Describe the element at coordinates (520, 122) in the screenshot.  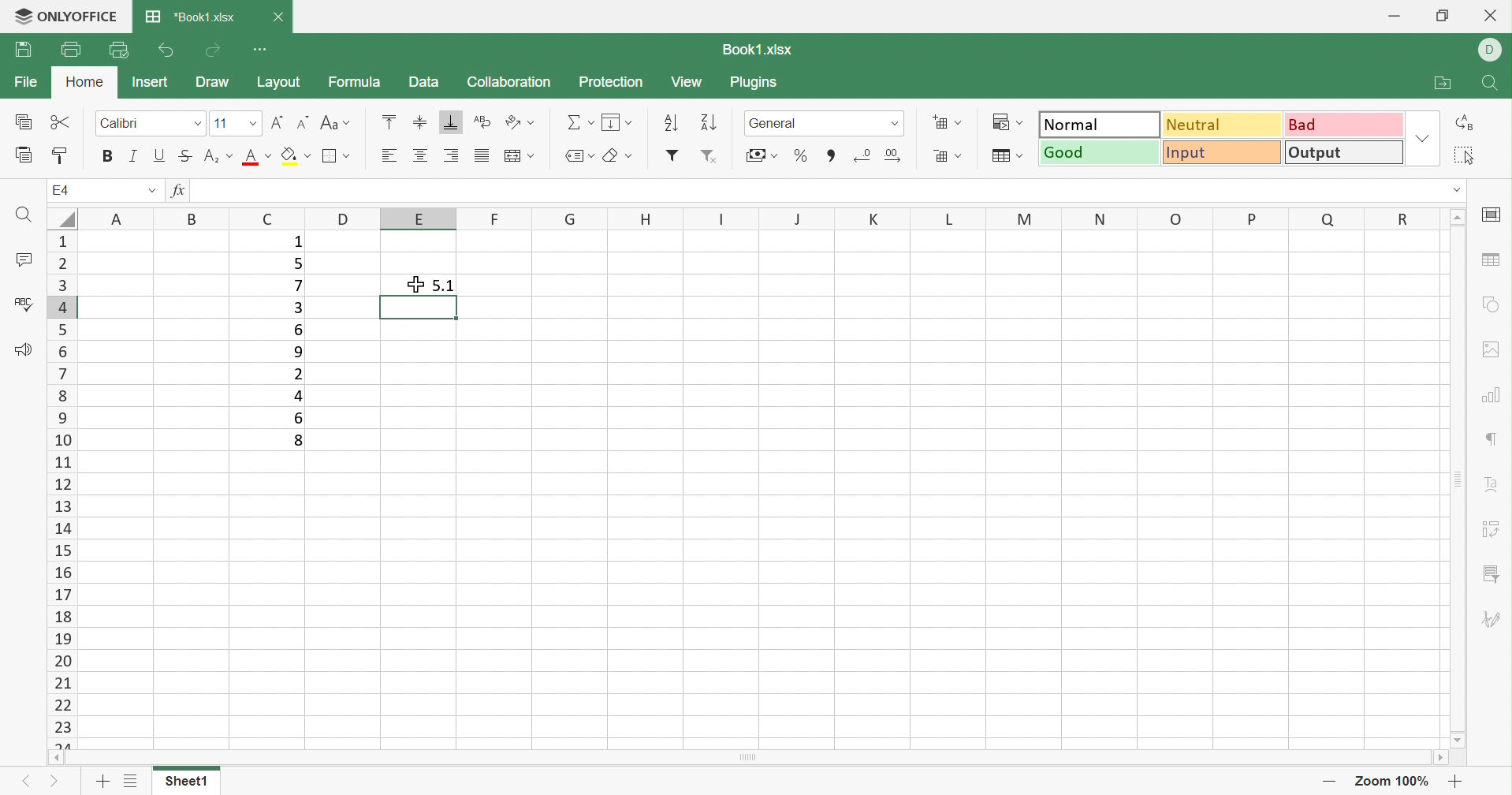
I see `Orientation` at that location.